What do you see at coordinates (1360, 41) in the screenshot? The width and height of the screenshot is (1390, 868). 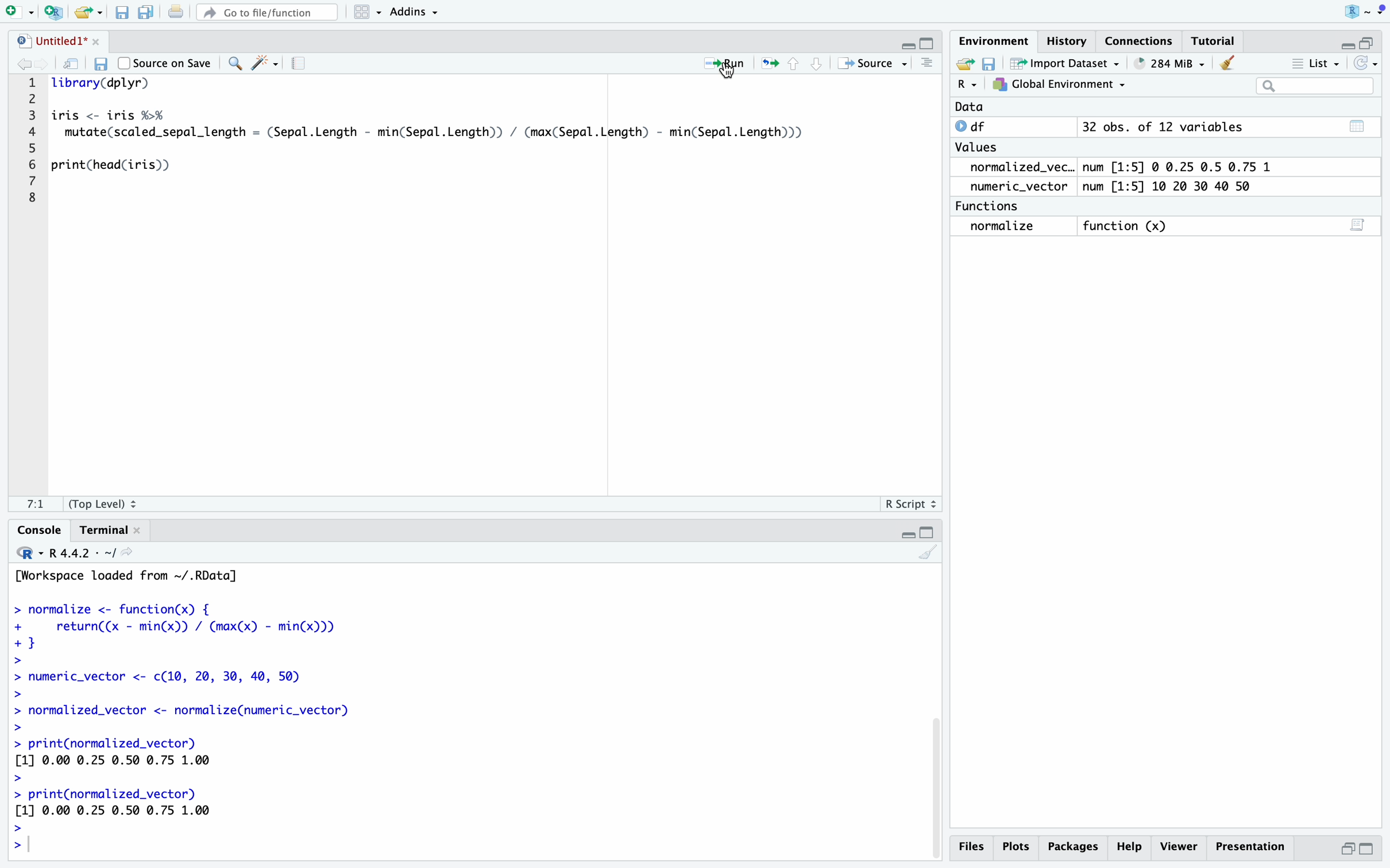 I see `Fullscreen` at bounding box center [1360, 41].